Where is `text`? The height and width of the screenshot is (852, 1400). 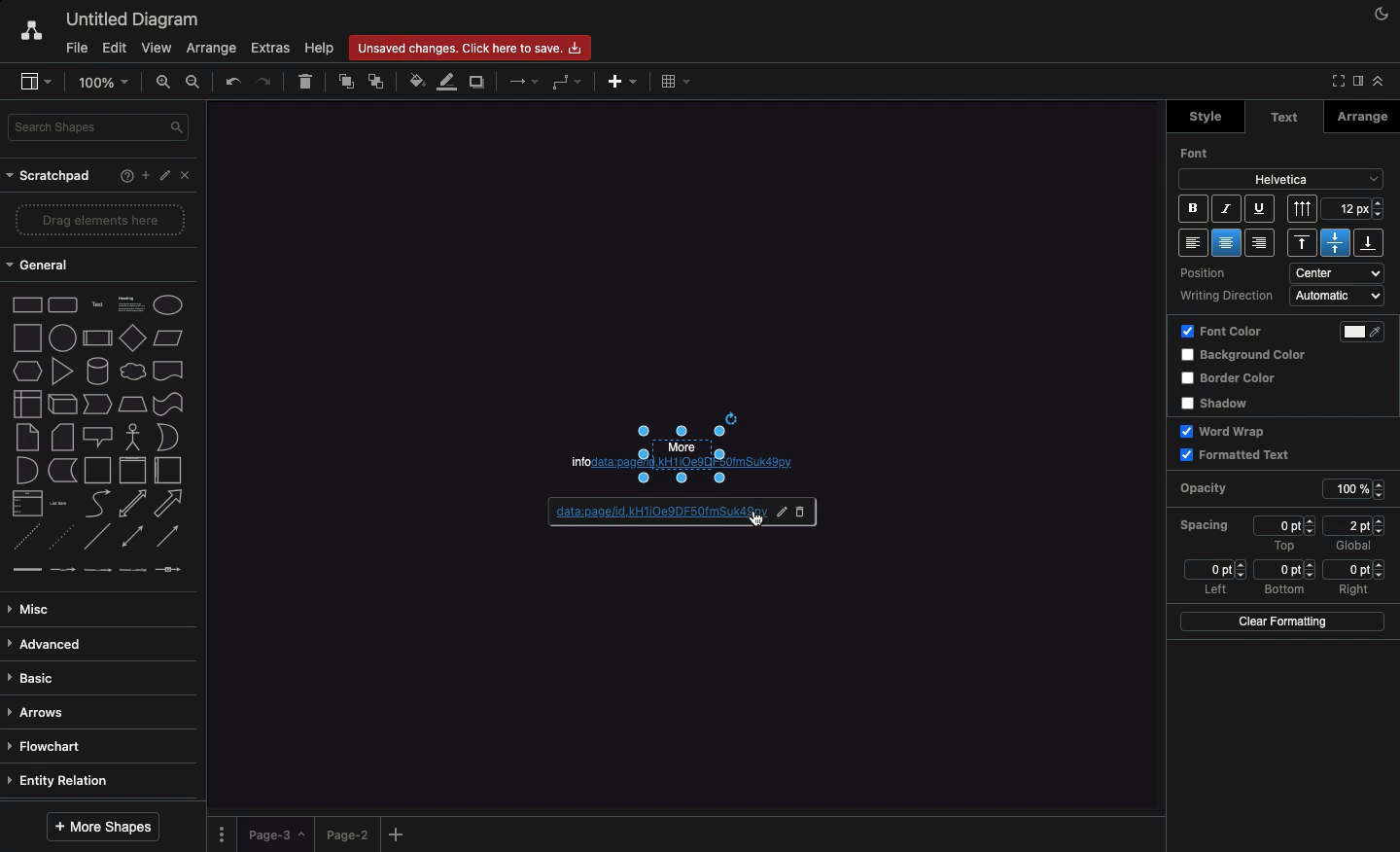 text is located at coordinates (98, 305).